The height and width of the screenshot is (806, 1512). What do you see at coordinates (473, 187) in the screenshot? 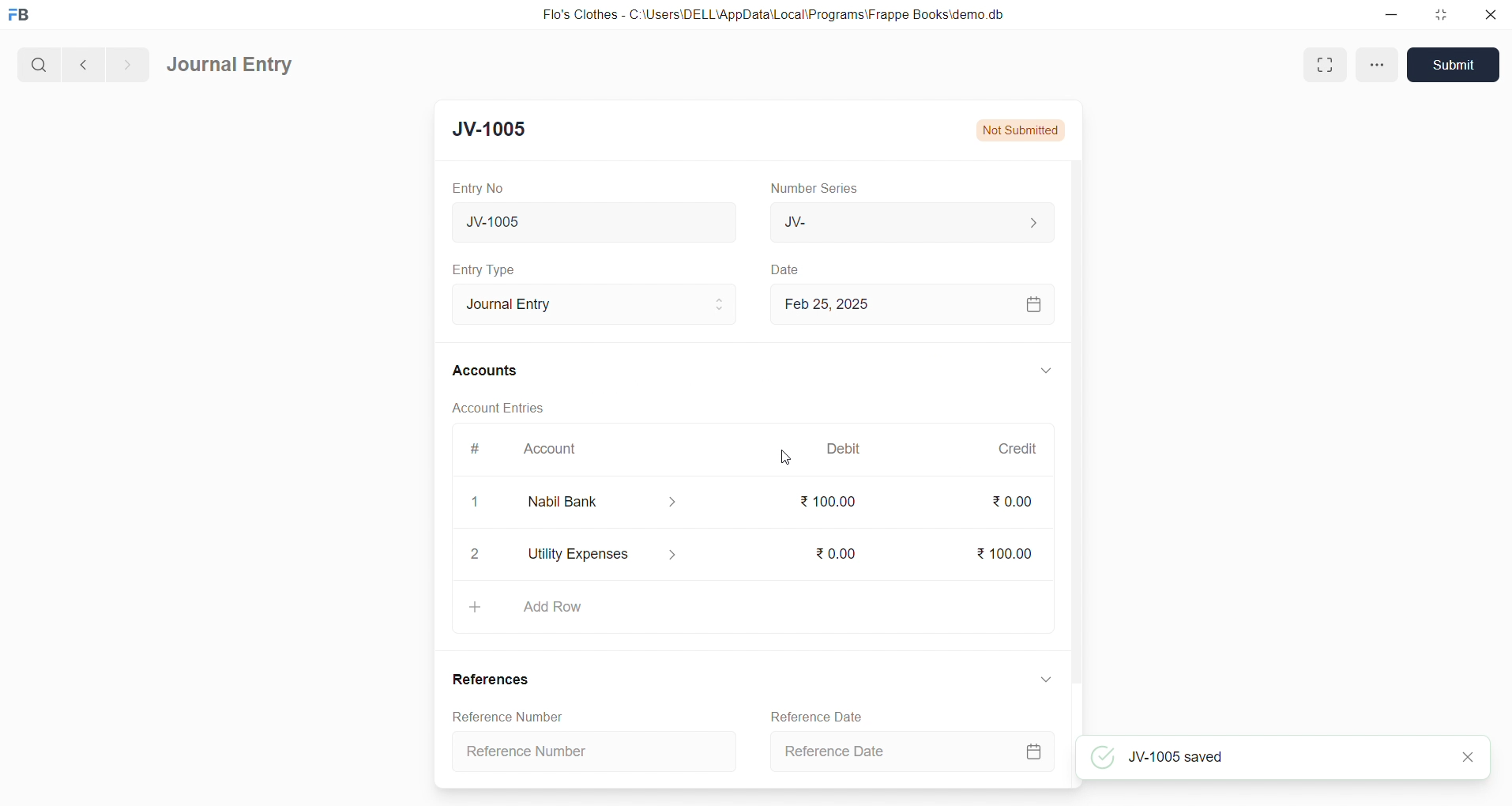
I see `Entry No` at bounding box center [473, 187].